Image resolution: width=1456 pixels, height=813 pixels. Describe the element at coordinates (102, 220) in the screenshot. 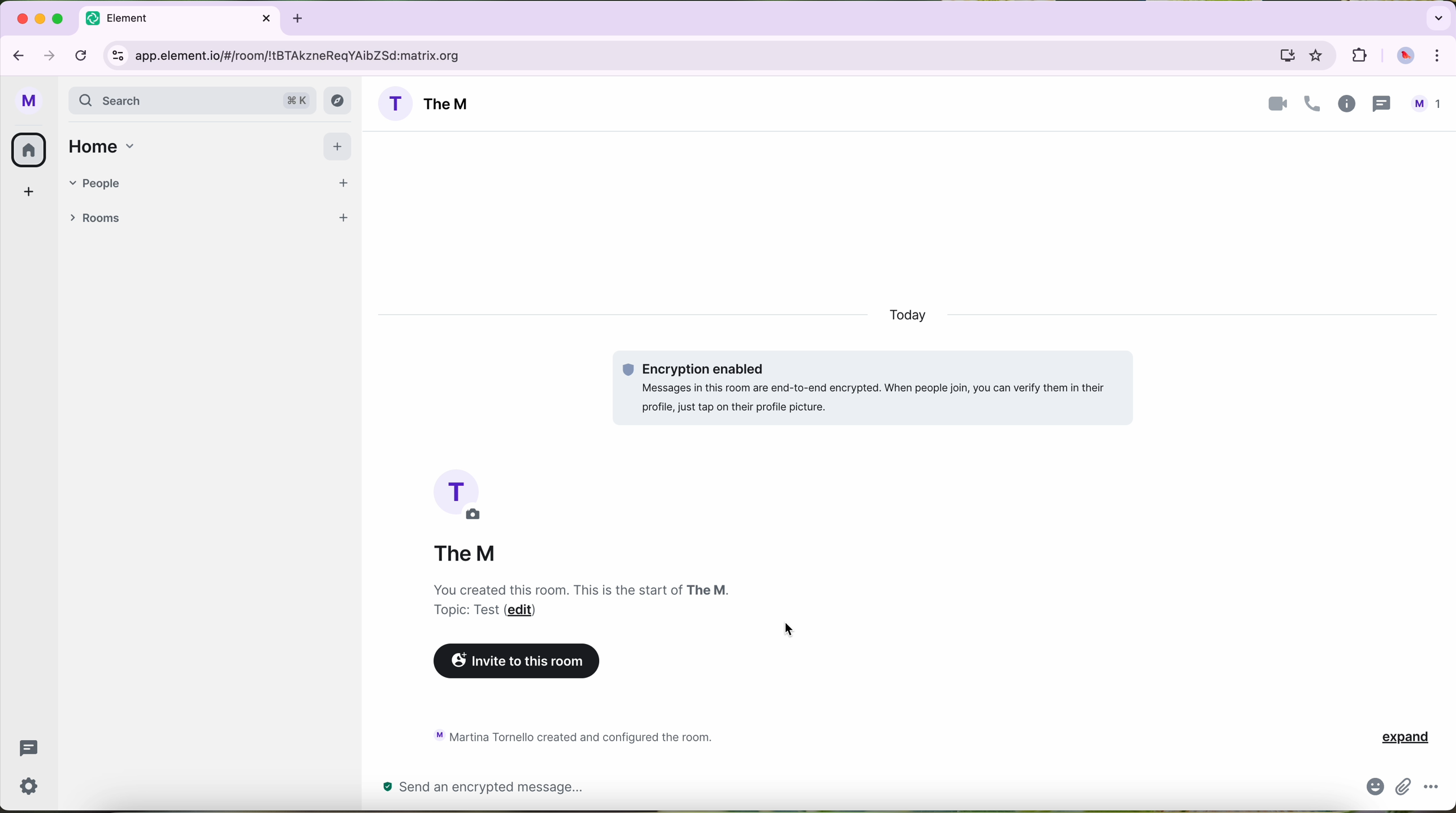

I see `rooms` at that location.